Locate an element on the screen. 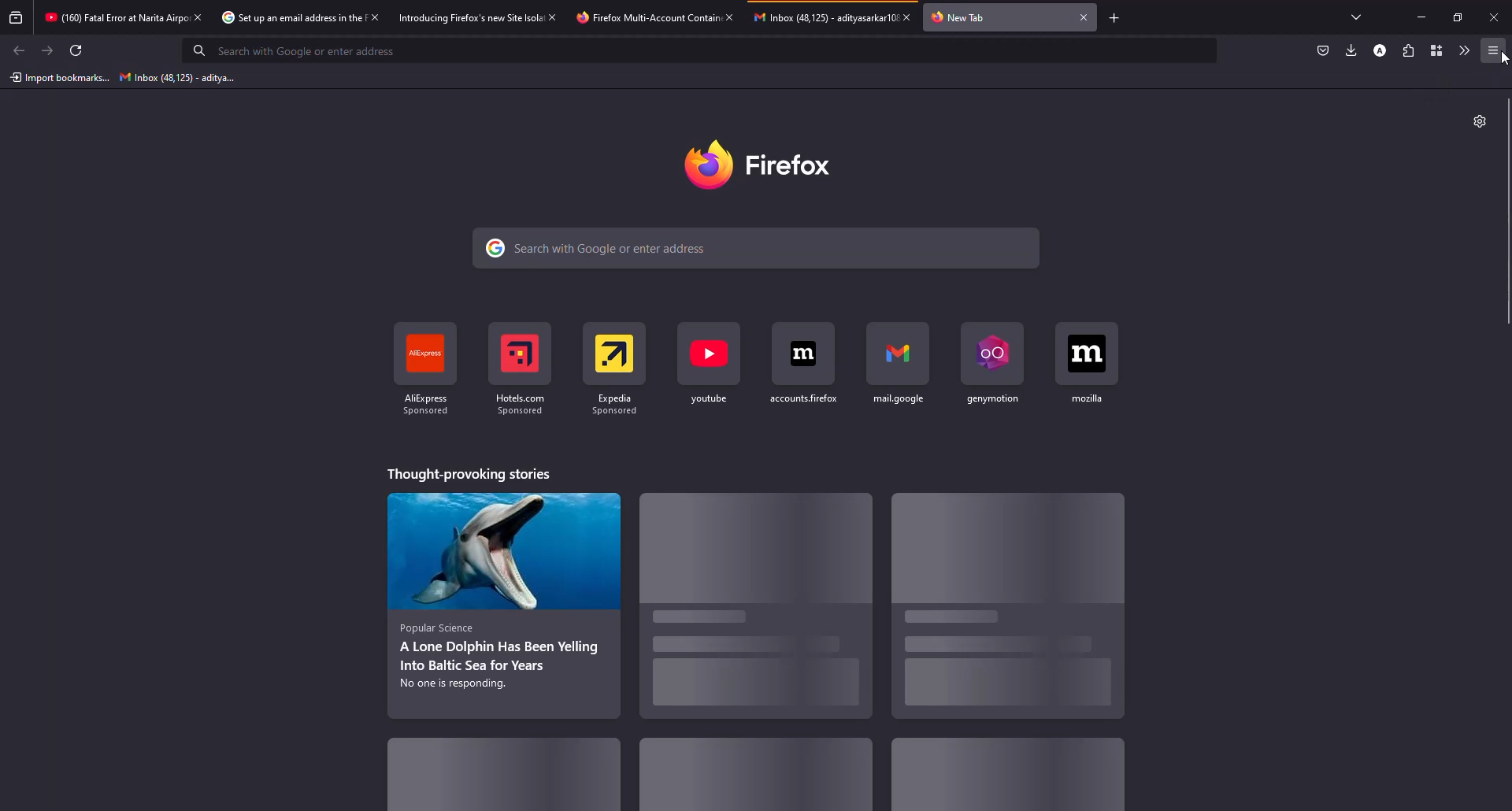  forward is located at coordinates (48, 51).